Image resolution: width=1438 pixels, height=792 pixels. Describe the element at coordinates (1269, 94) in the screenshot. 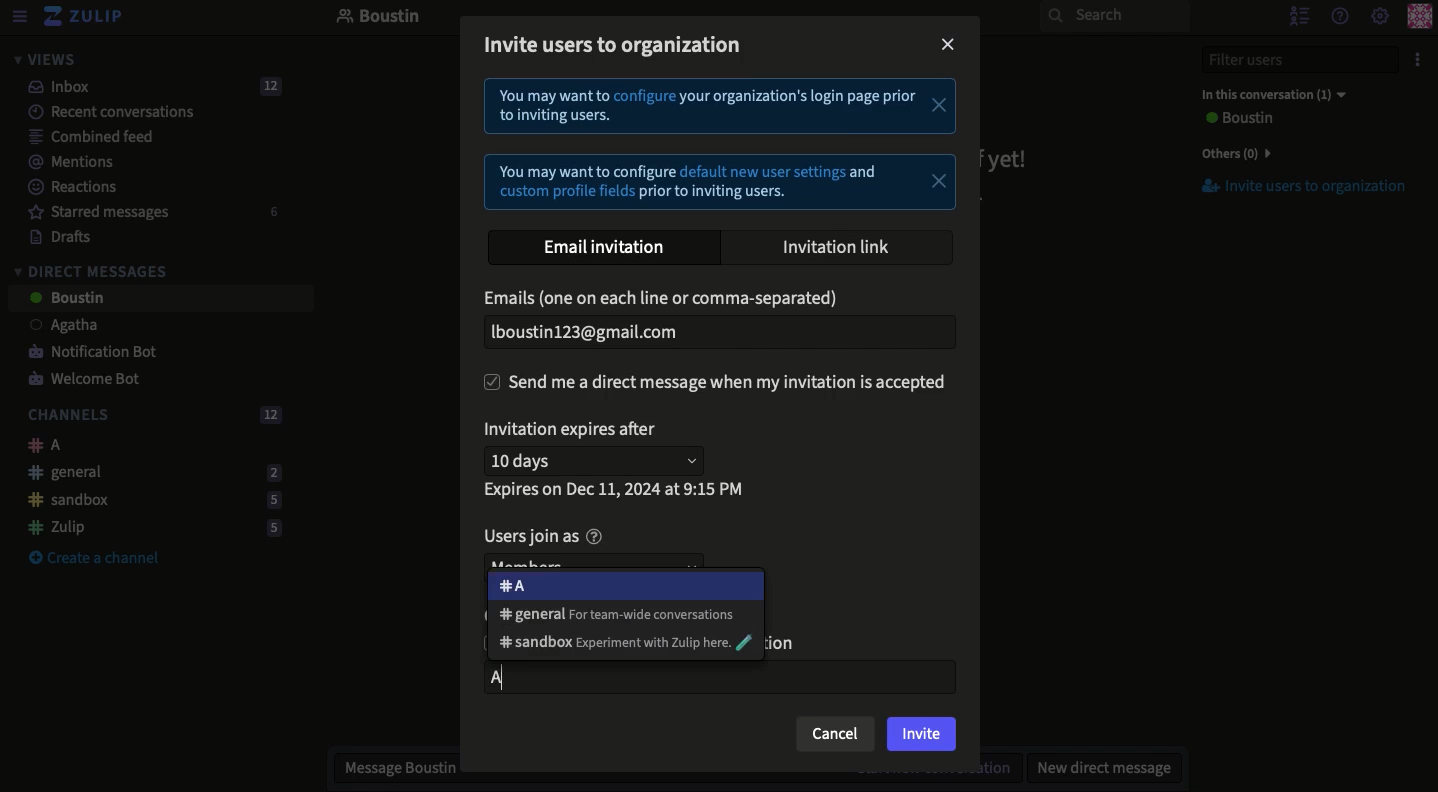

I see `In this conversation` at that location.